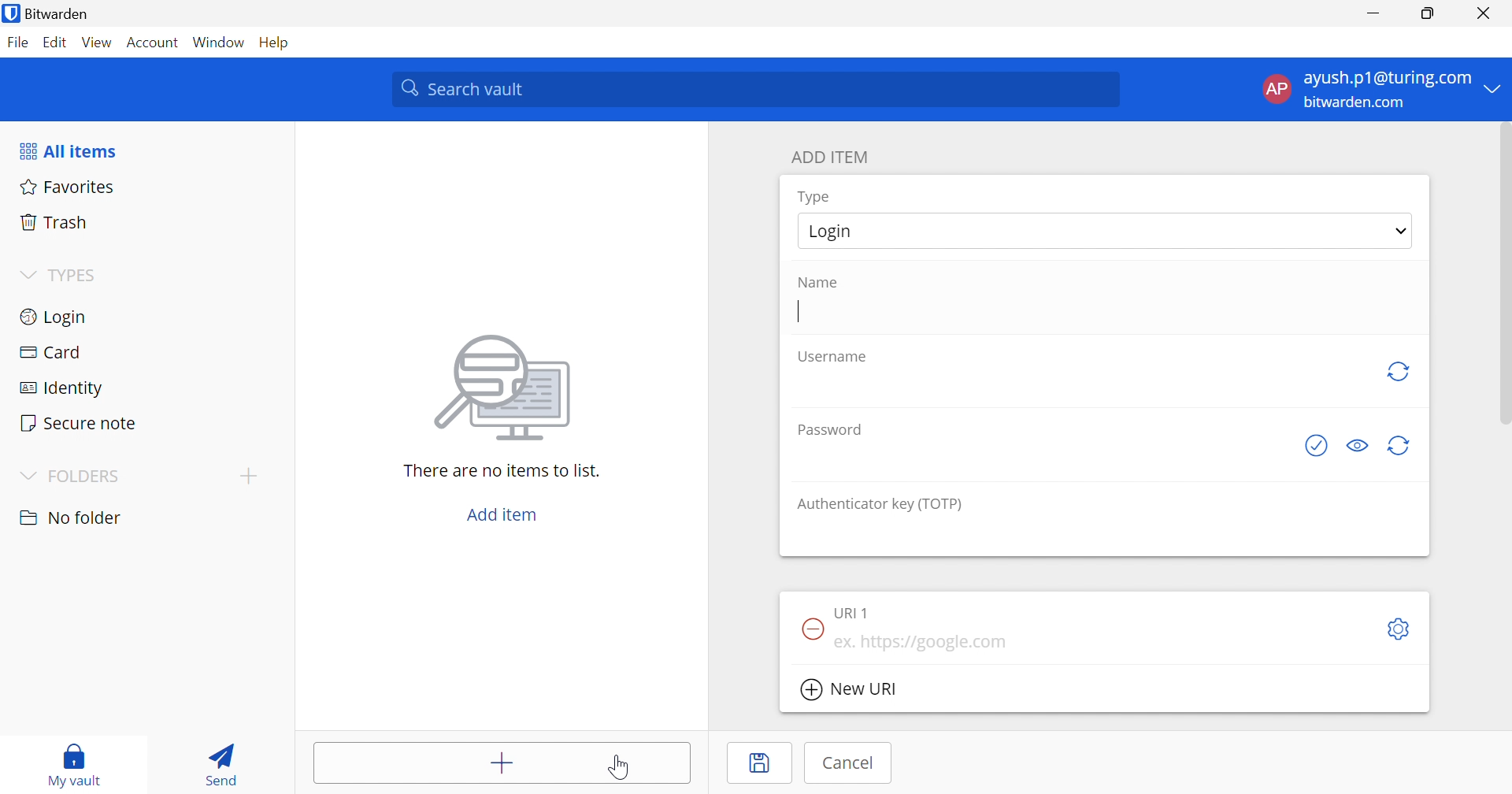 This screenshot has height=794, width=1512. What do you see at coordinates (1388, 79) in the screenshot?
I see `ayush.p1@turing.com` at bounding box center [1388, 79].